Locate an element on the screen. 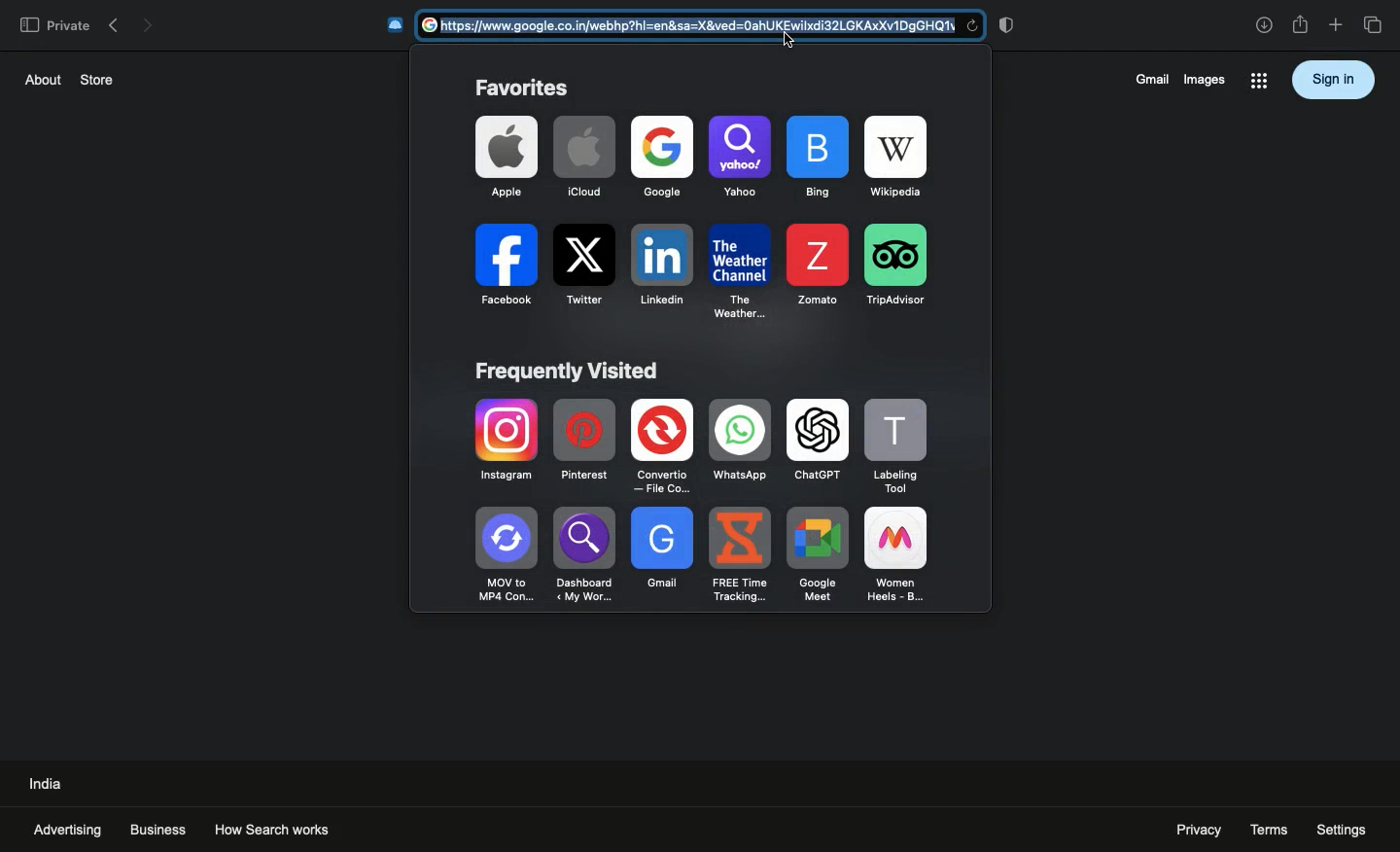 This screenshot has height=852, width=1400. favorite websites is located at coordinates (695, 221).